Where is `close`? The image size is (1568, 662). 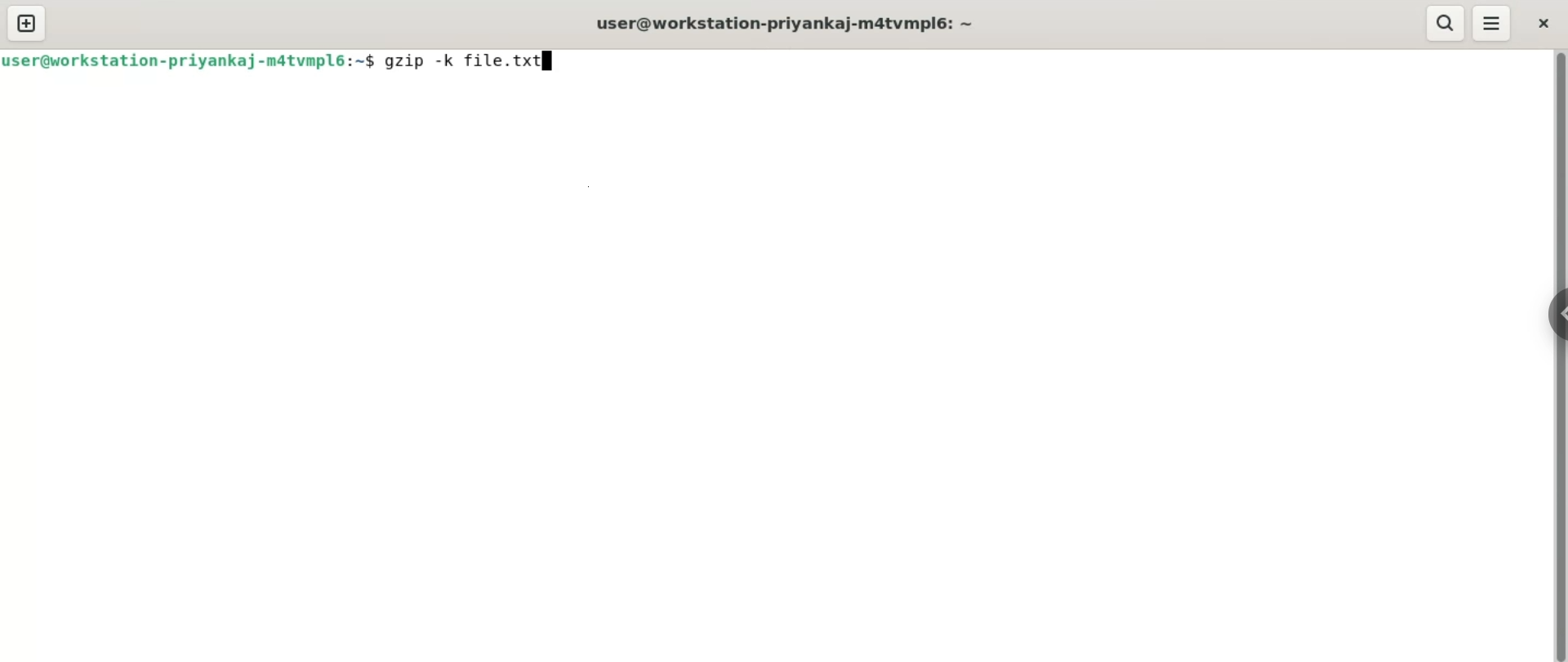 close is located at coordinates (1543, 24).